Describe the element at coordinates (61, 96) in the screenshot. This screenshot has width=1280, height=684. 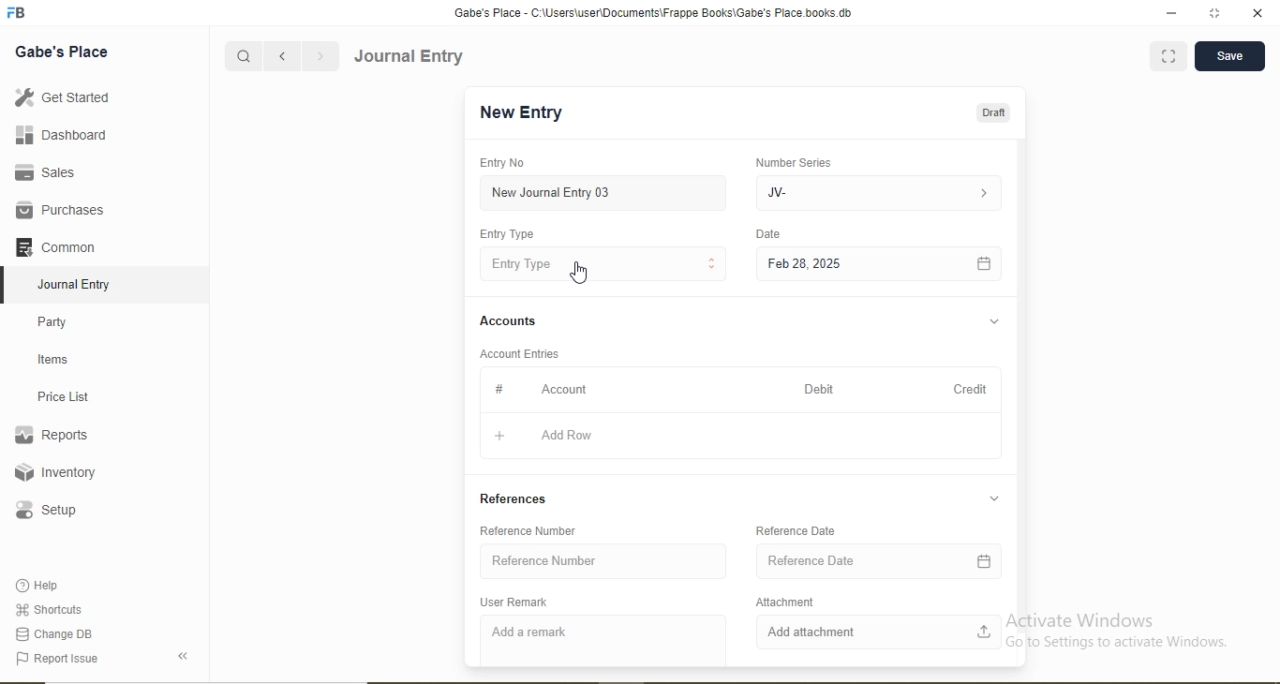
I see `Get Started` at that location.